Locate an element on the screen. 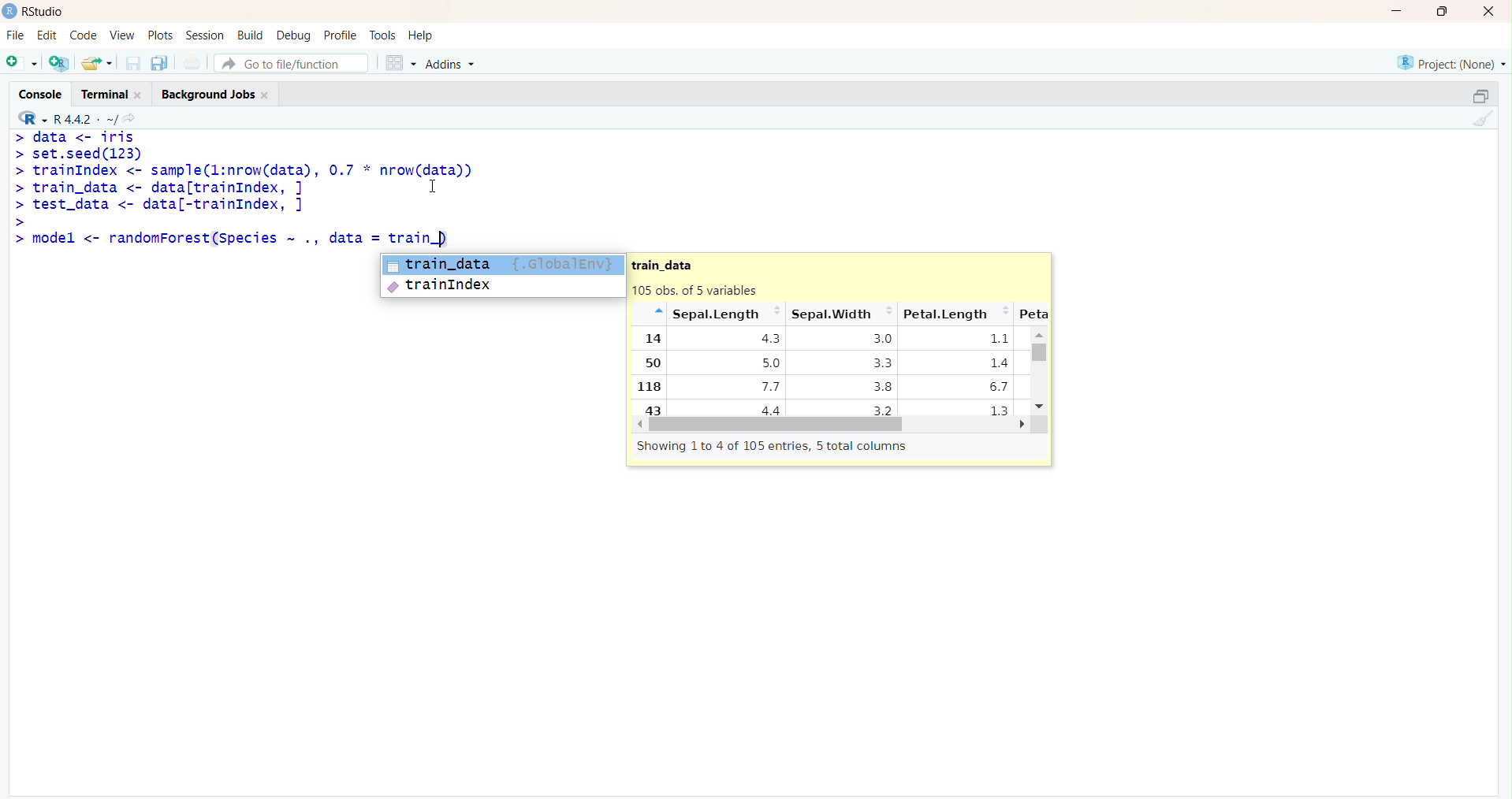 The height and width of the screenshot is (799, 1512). Right is located at coordinates (1022, 425).